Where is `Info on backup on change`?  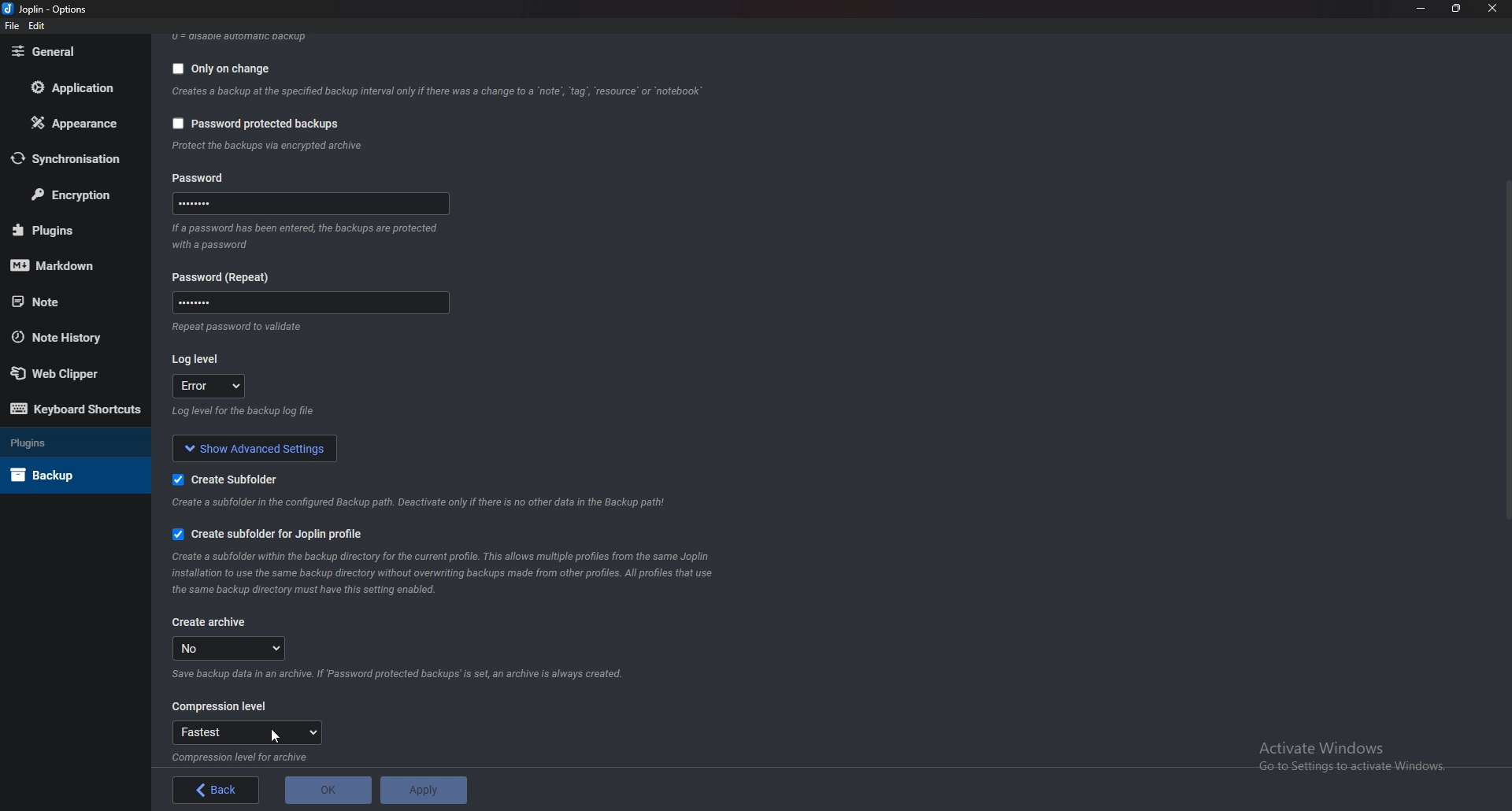 Info on backup on change is located at coordinates (435, 94).